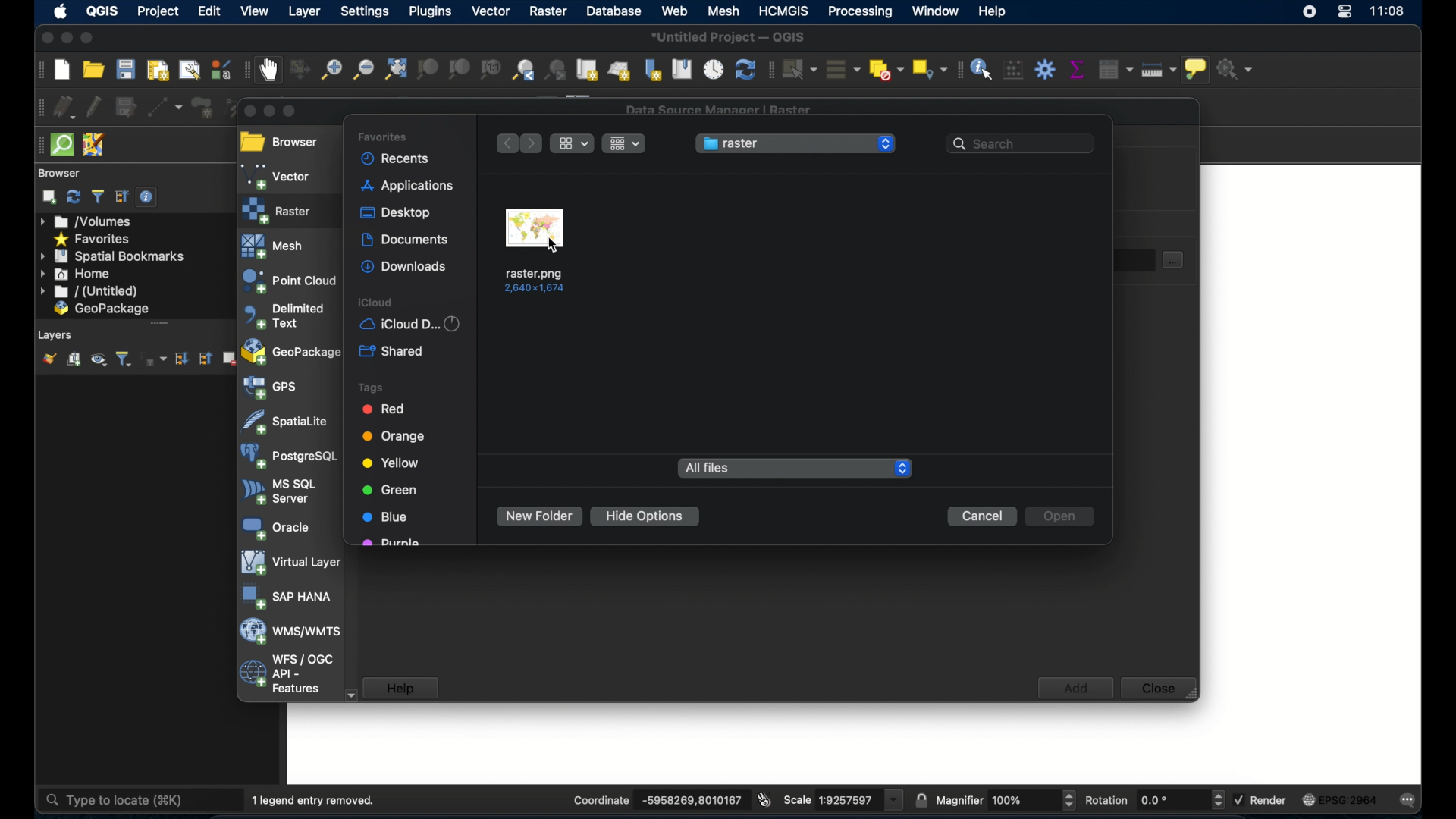  I want to click on rotations, so click(1107, 799).